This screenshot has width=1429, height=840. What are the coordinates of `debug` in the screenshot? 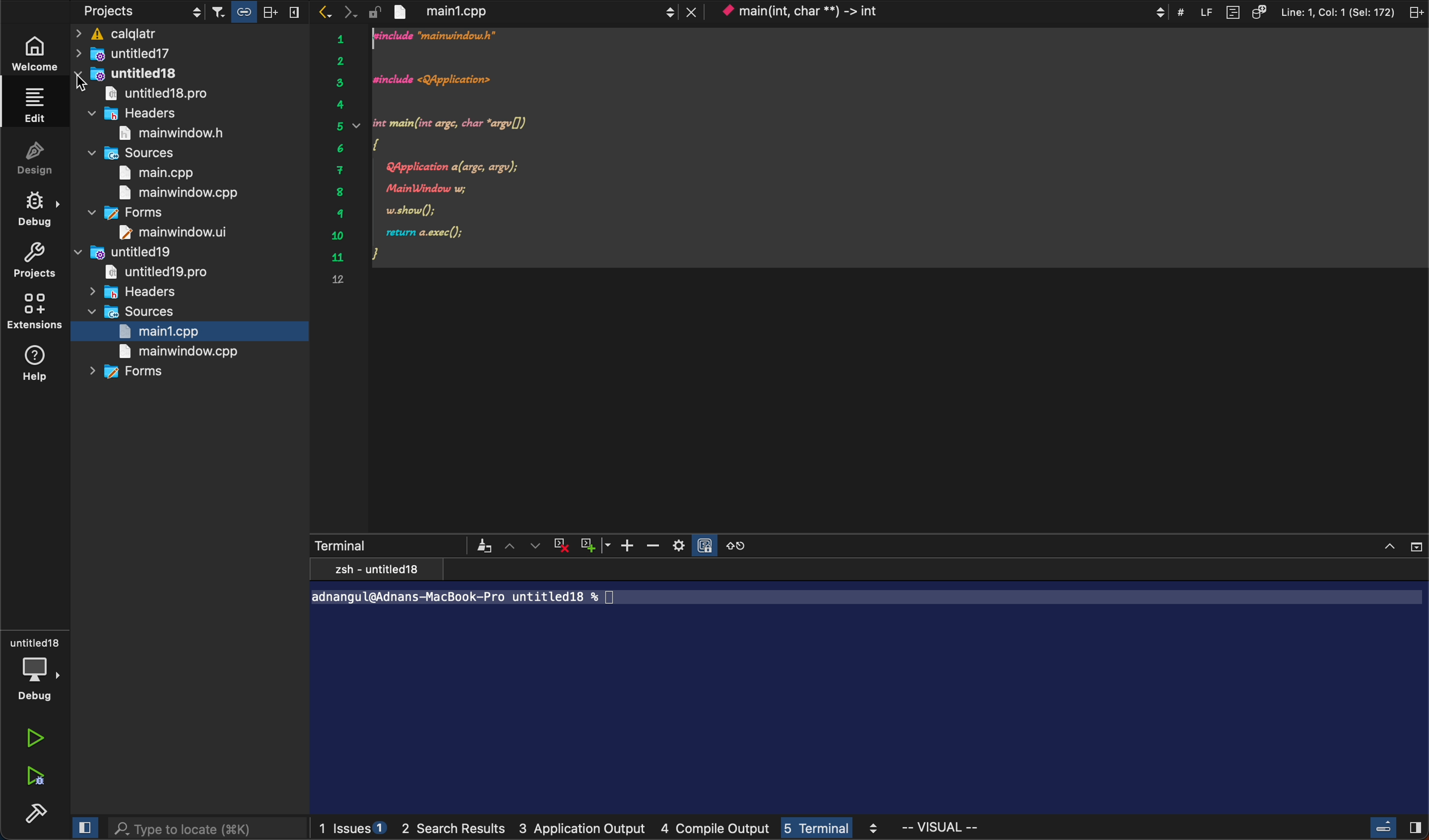 It's located at (34, 661).